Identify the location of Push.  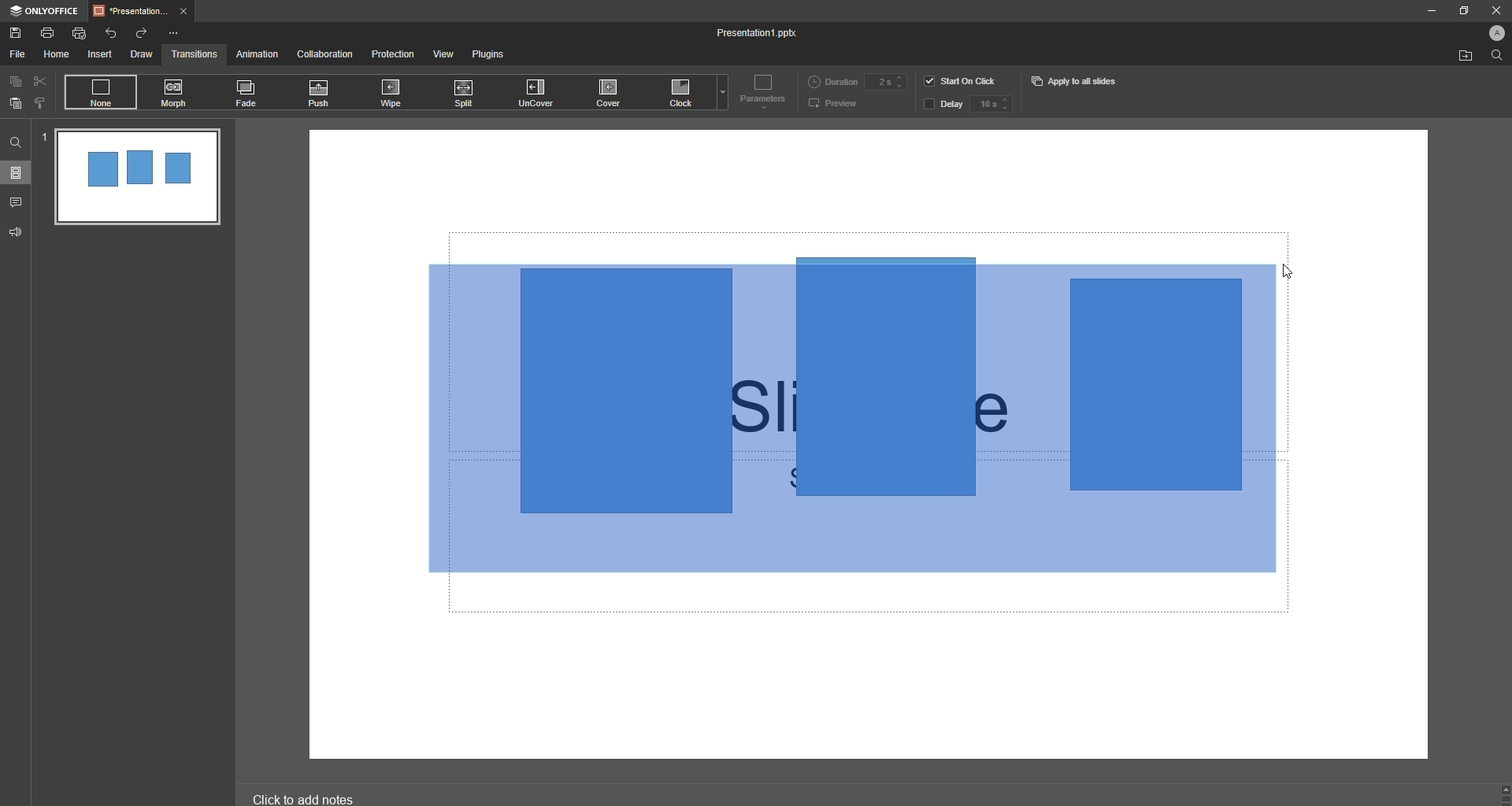
(321, 94).